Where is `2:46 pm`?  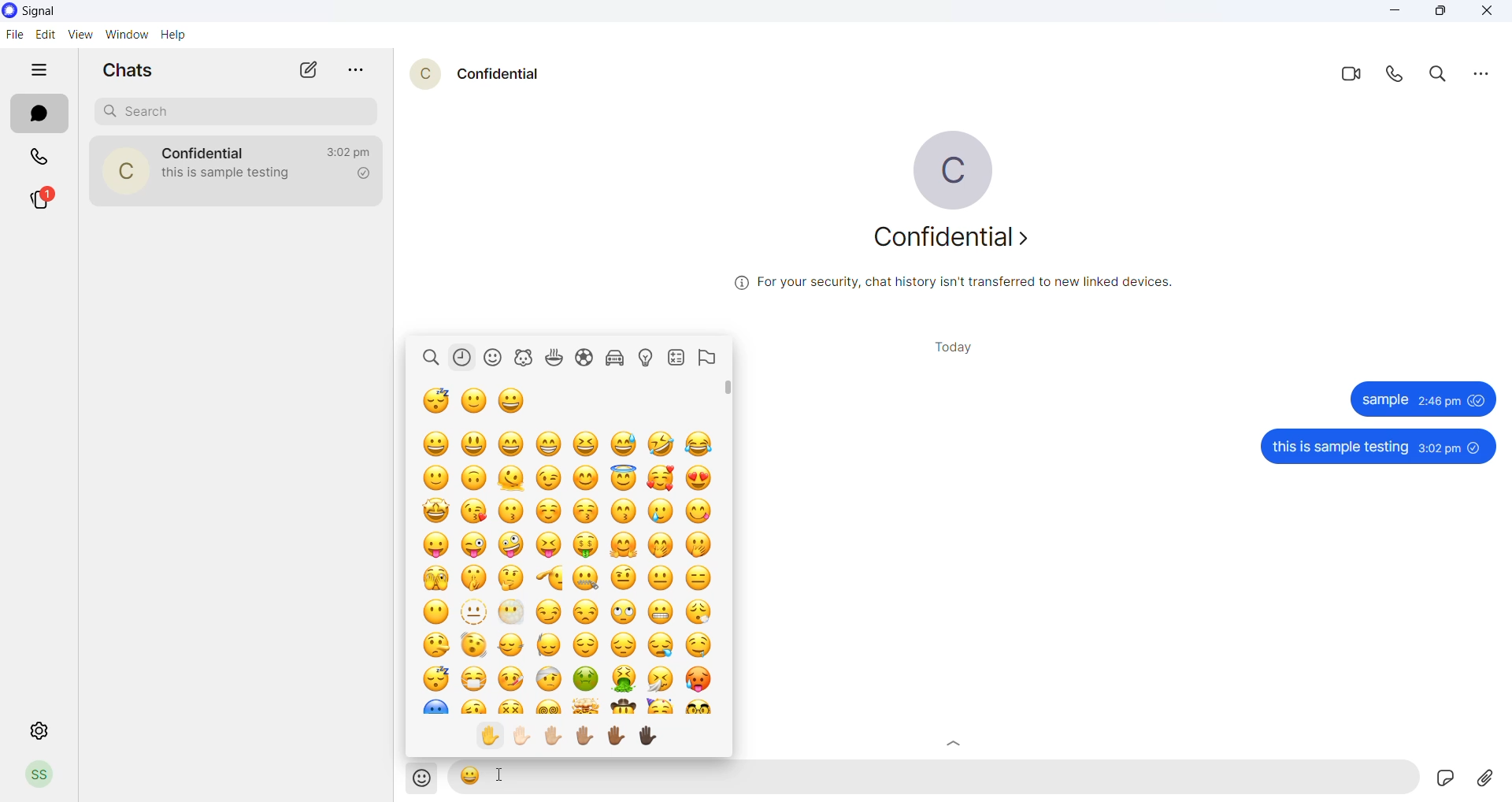 2:46 pm is located at coordinates (1439, 401).